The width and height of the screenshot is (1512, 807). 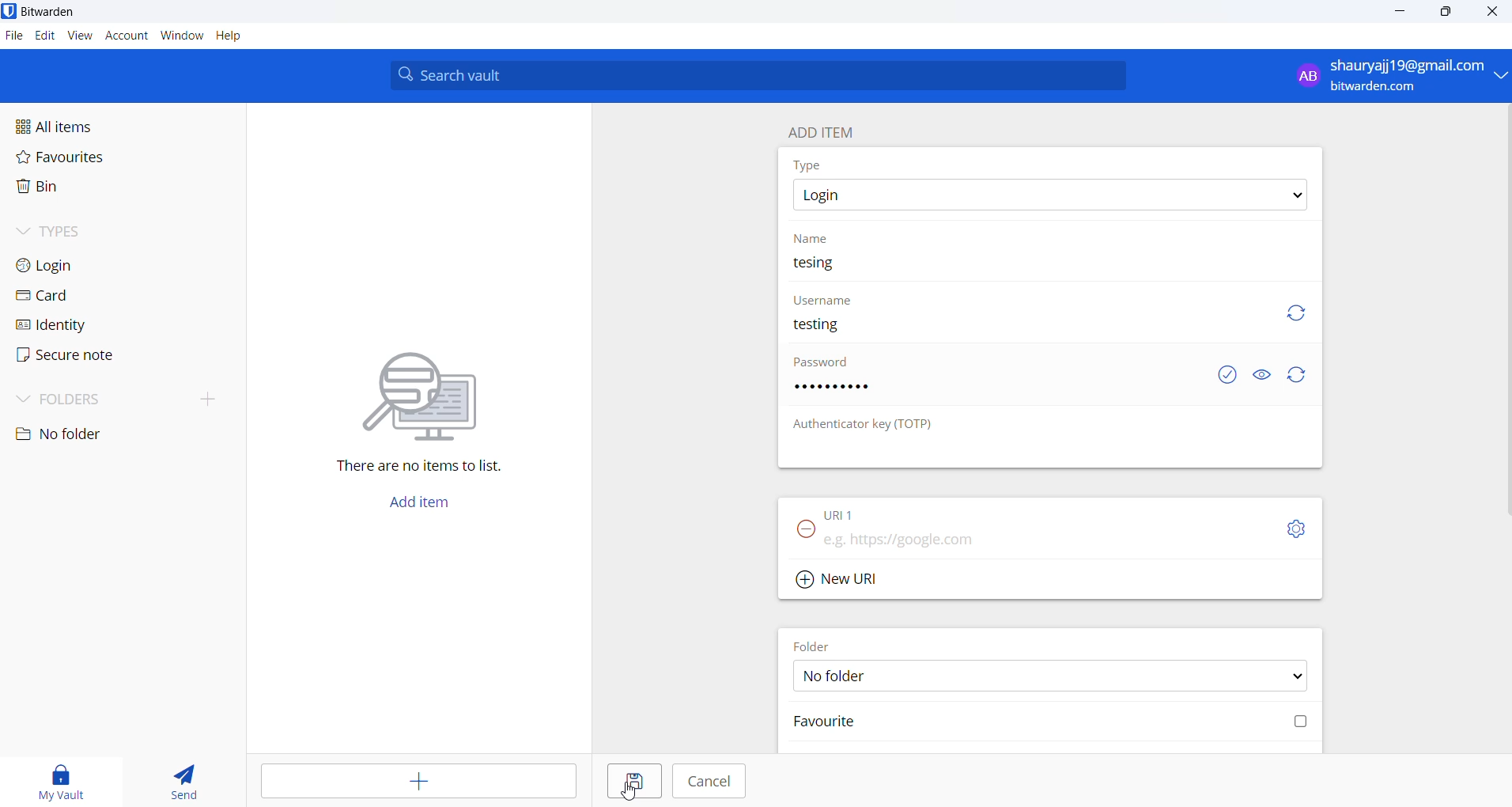 What do you see at coordinates (825, 324) in the screenshot?
I see `entered username` at bounding box center [825, 324].